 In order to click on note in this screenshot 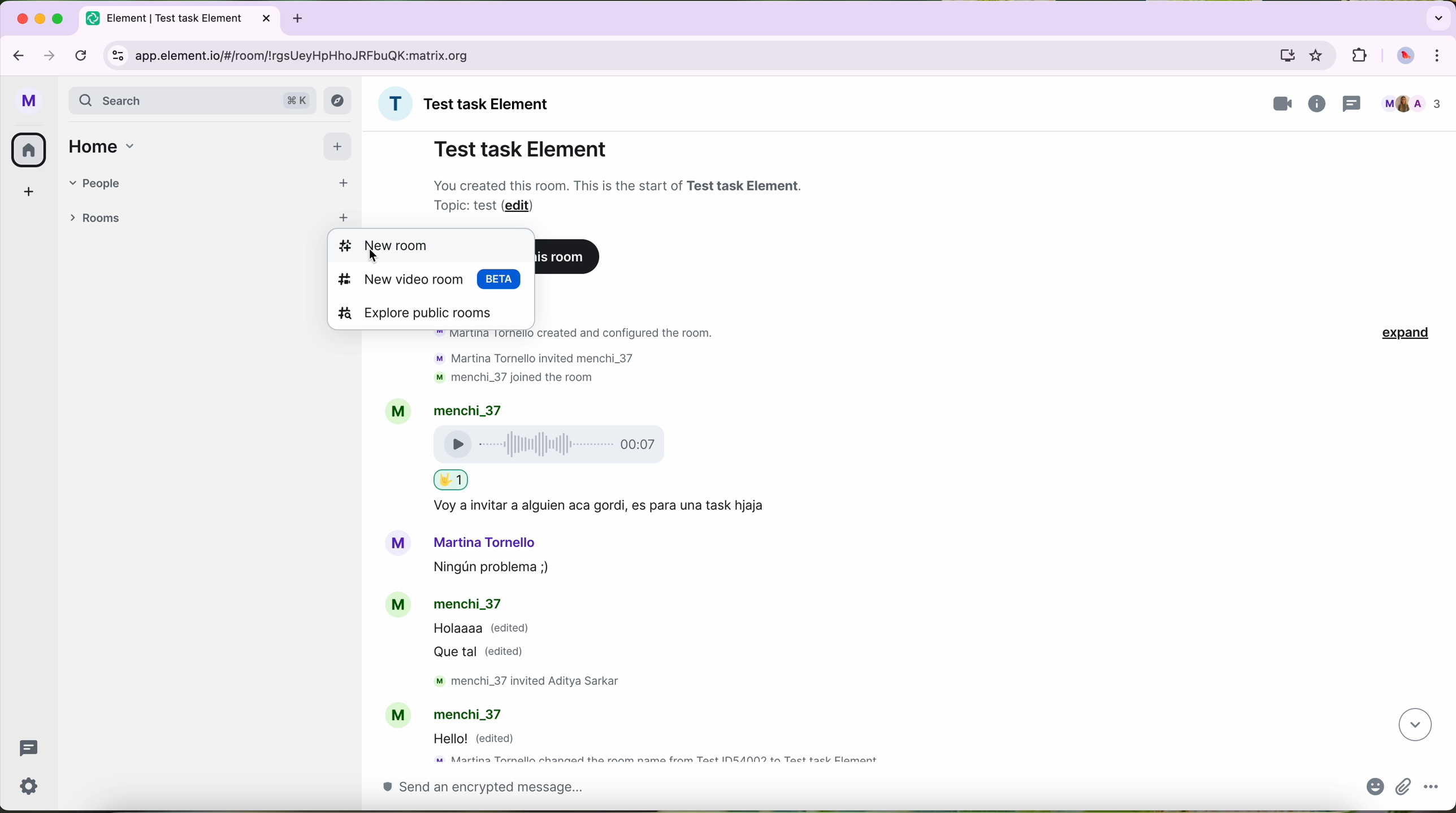, I will do `click(621, 194)`.